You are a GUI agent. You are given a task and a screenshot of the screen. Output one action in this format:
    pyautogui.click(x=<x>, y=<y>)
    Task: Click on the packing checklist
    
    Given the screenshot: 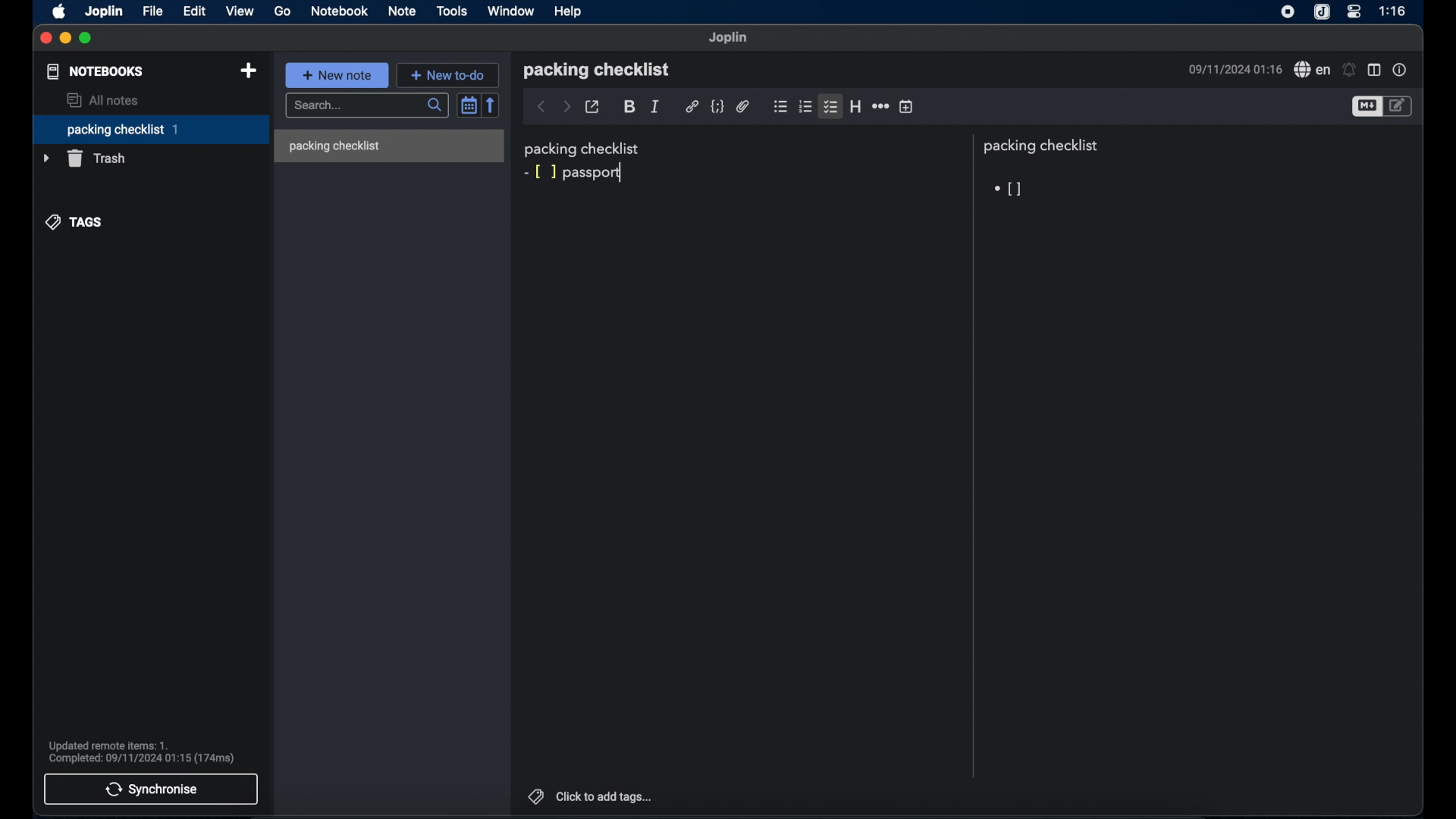 What is the action you would take?
    pyautogui.click(x=596, y=70)
    